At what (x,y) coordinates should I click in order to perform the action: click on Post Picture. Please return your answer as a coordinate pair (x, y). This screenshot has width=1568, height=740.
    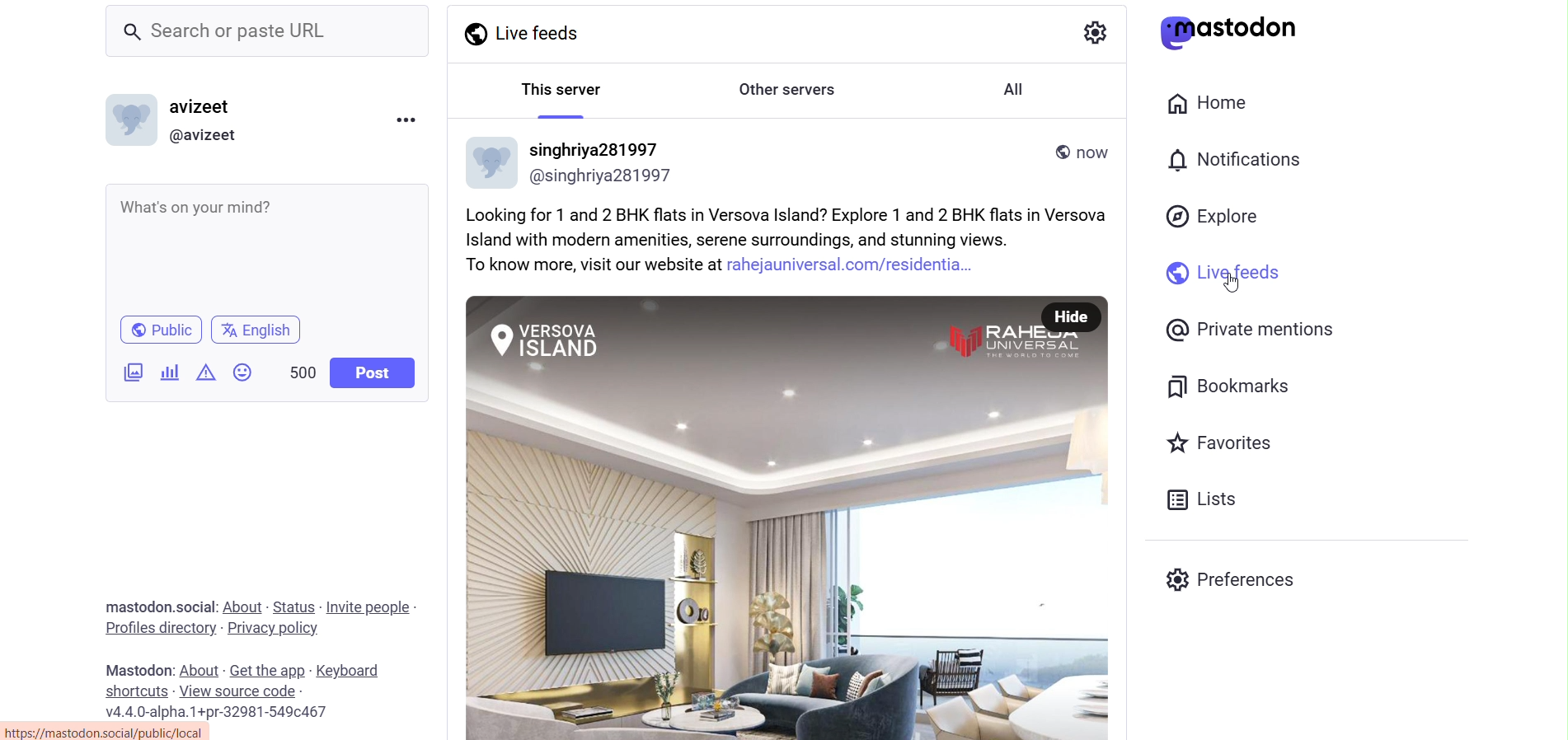
    Looking at the image, I should click on (744, 517).